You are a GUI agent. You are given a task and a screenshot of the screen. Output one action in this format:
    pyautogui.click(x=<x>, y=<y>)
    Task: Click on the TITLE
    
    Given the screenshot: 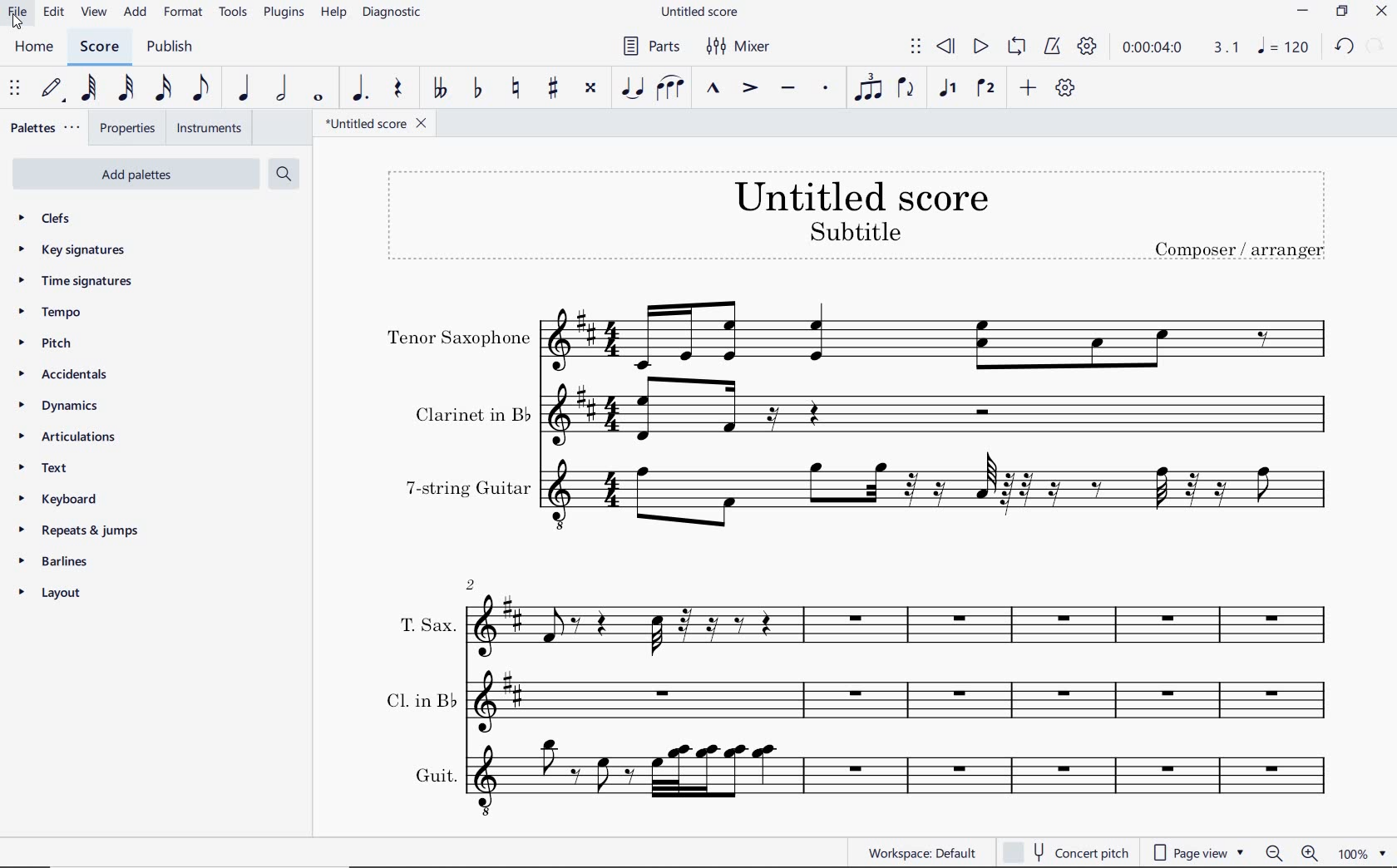 What is the action you would take?
    pyautogui.click(x=853, y=216)
    